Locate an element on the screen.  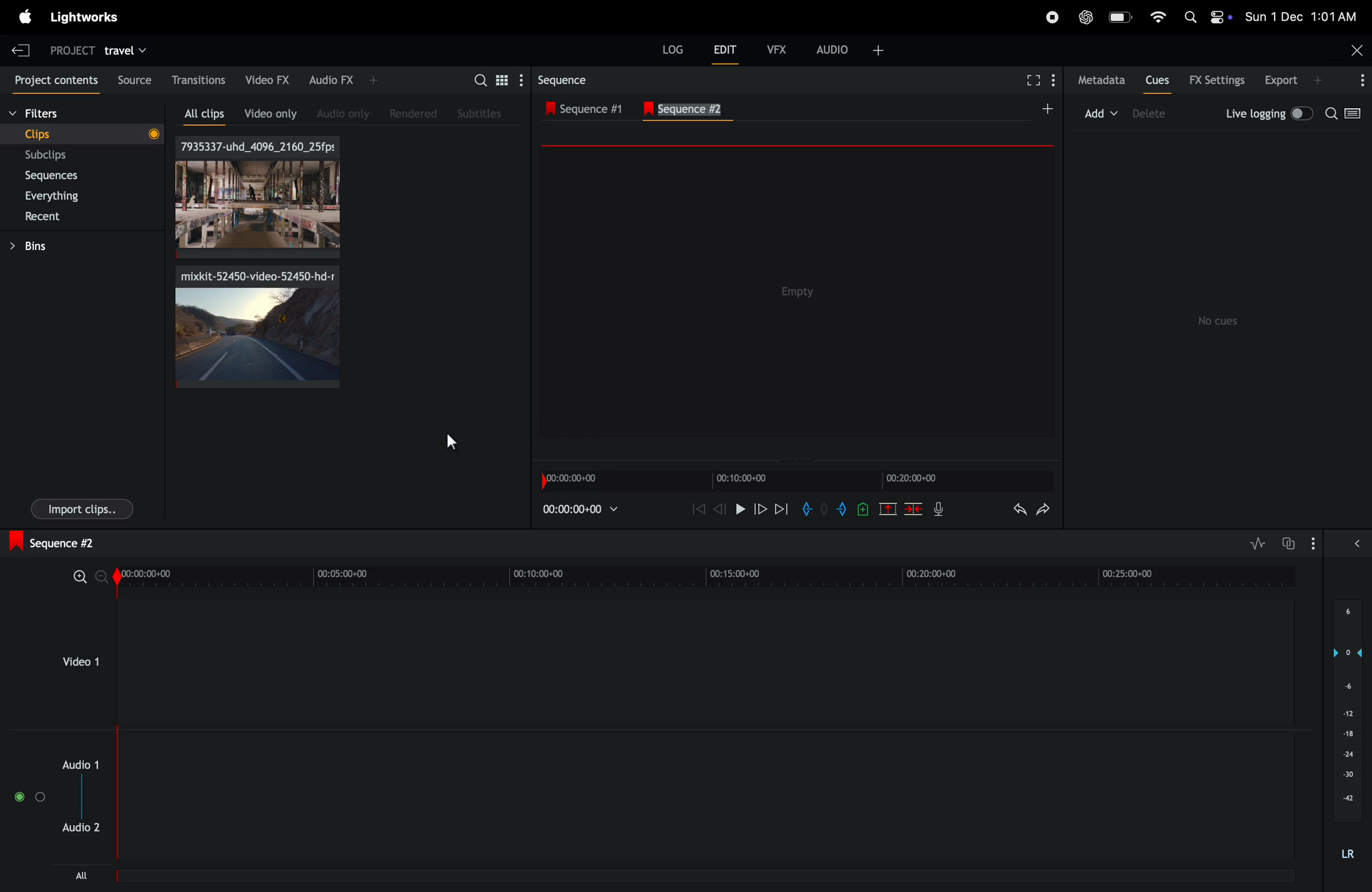
Audio 1 is located at coordinates (84, 760).